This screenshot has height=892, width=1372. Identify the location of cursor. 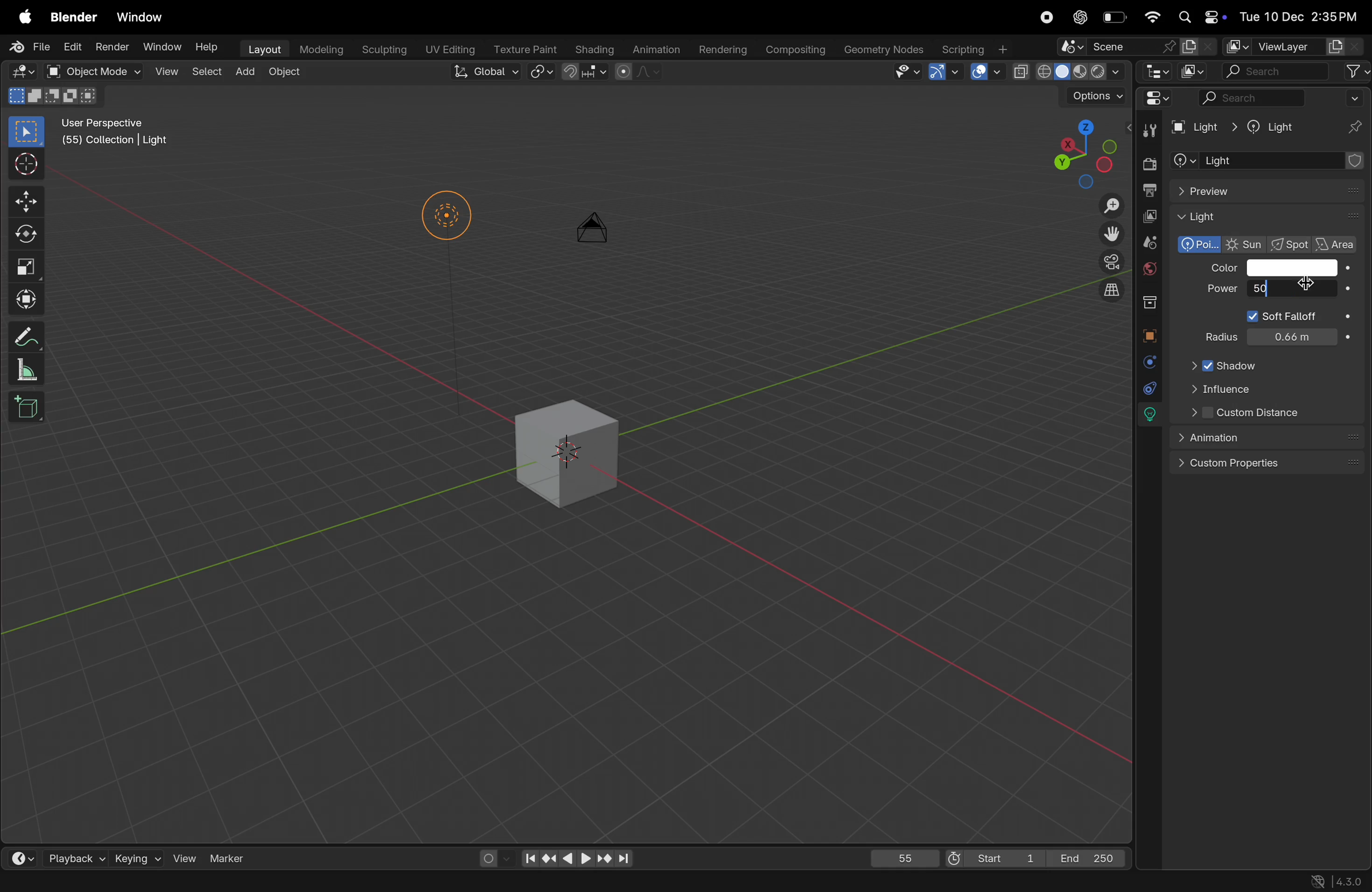
(1151, 390).